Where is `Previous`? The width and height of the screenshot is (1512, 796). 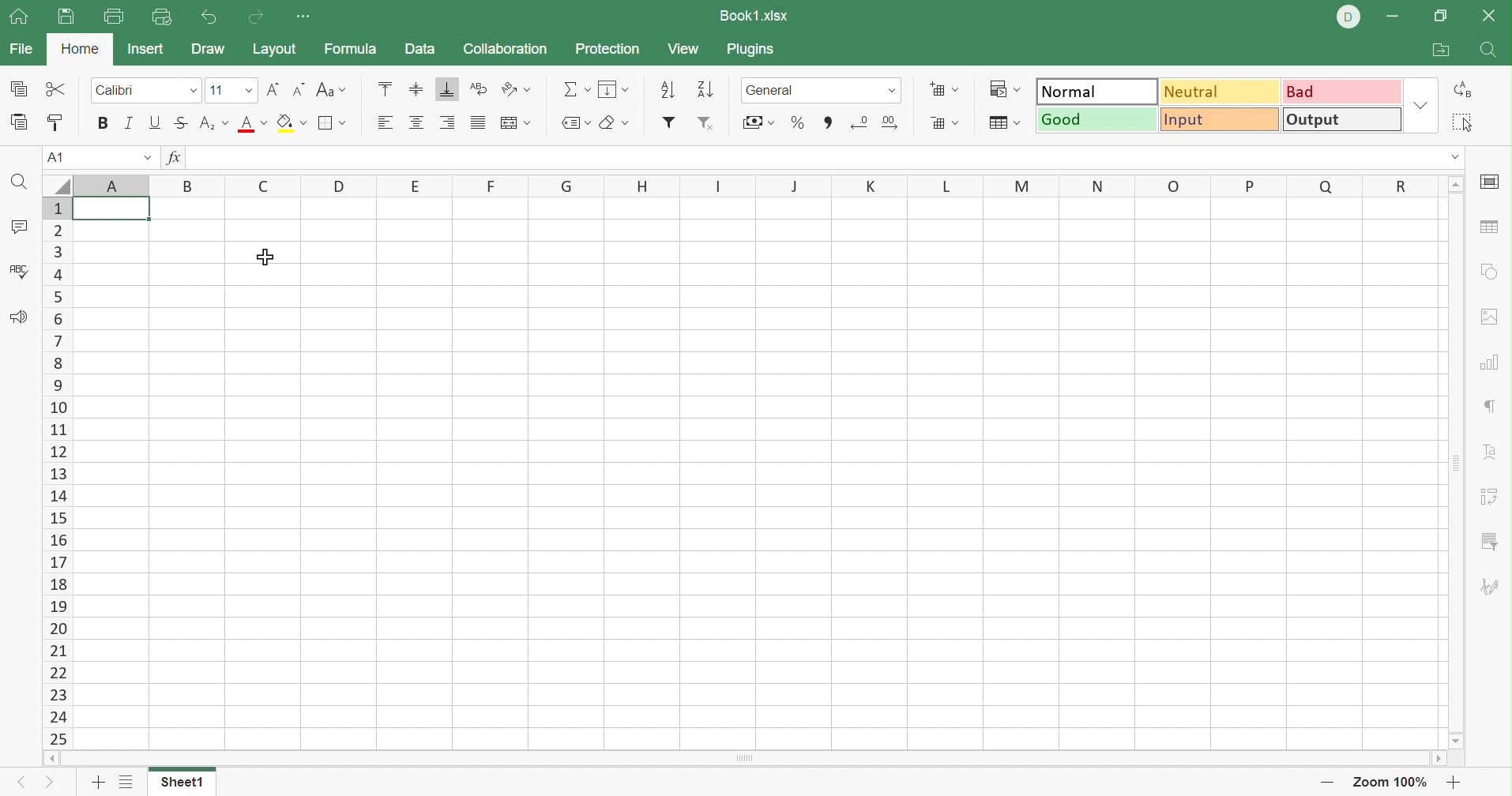
Previous is located at coordinates (18, 784).